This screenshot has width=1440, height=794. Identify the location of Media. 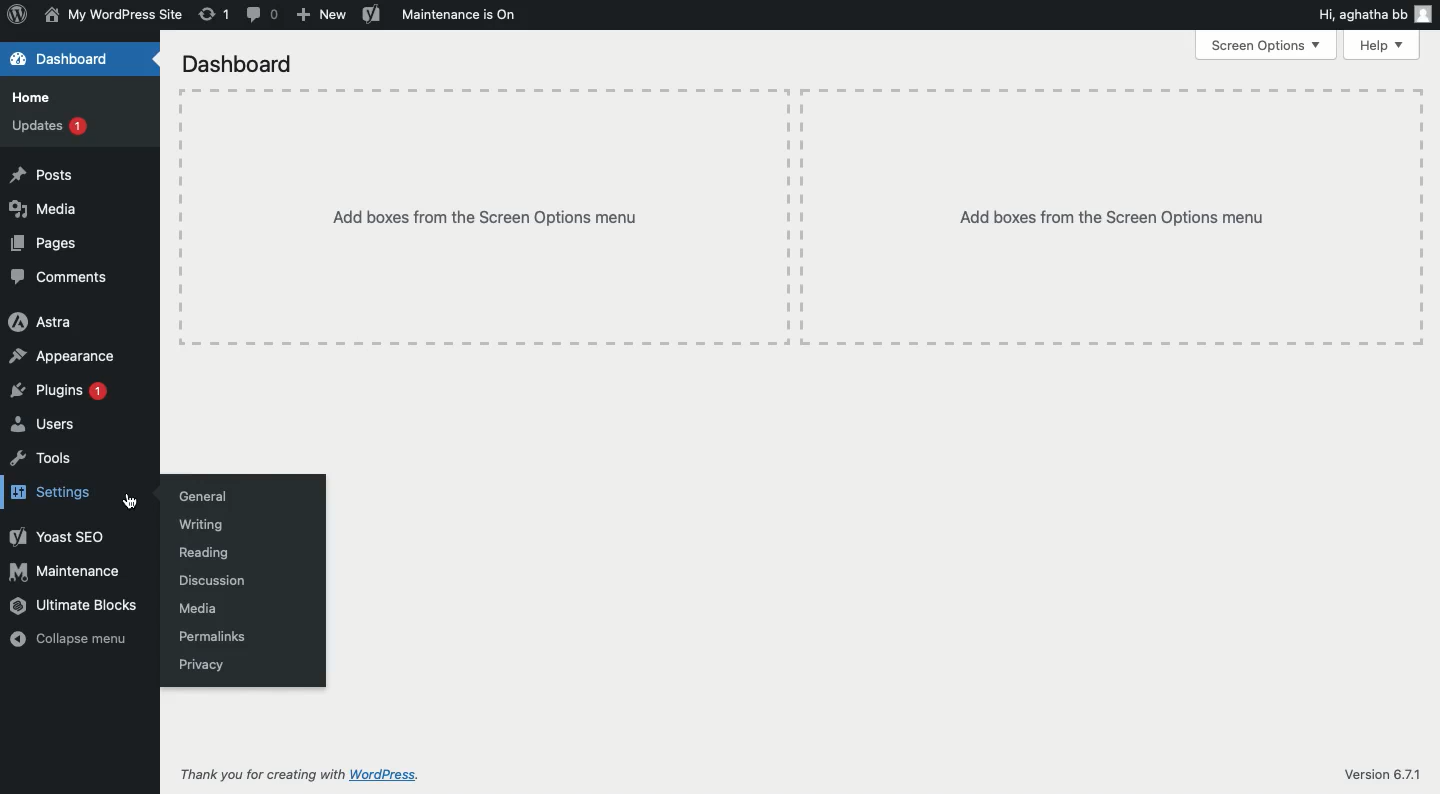
(43, 209).